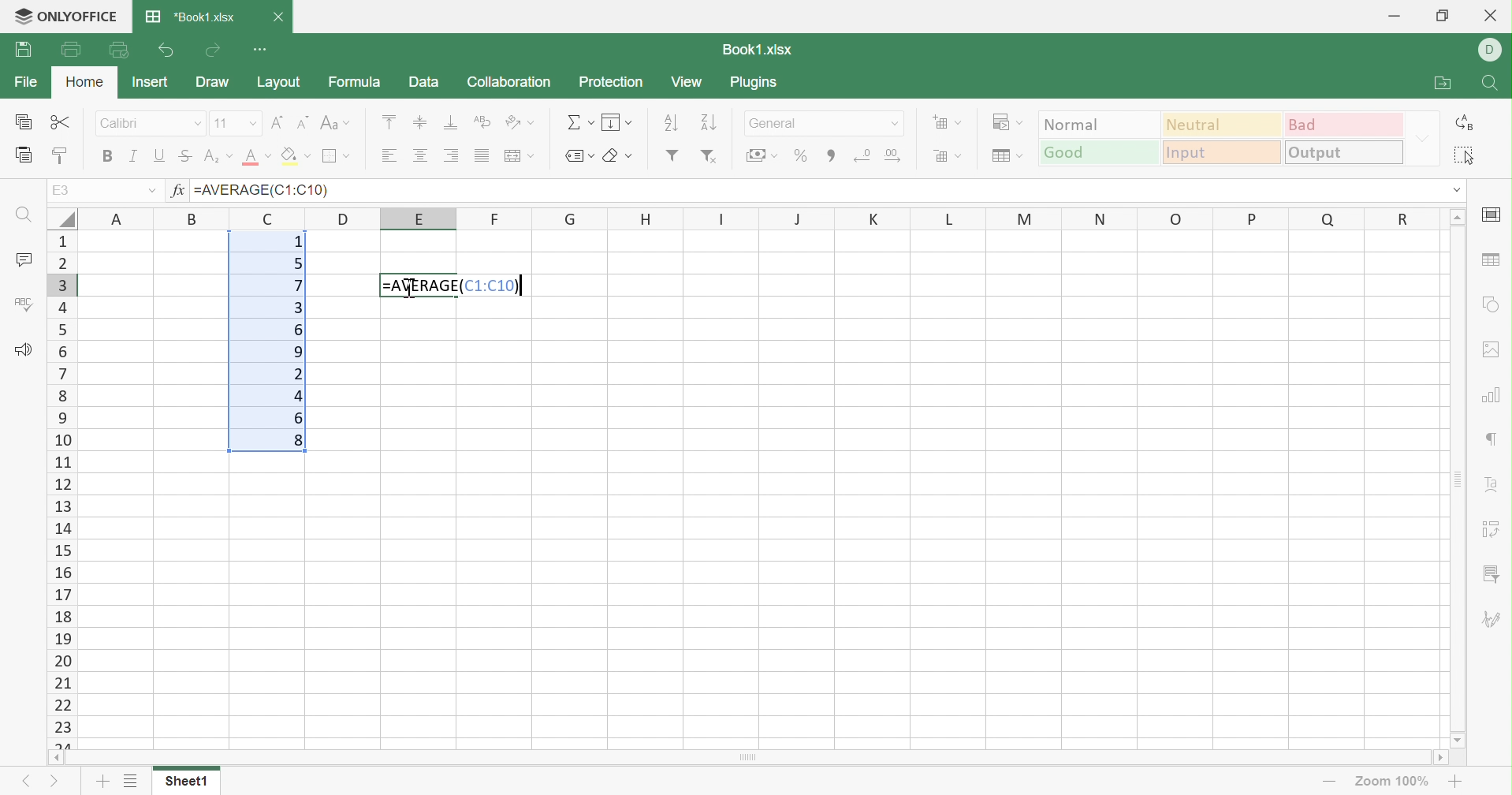  What do you see at coordinates (1345, 151) in the screenshot?
I see `Output` at bounding box center [1345, 151].